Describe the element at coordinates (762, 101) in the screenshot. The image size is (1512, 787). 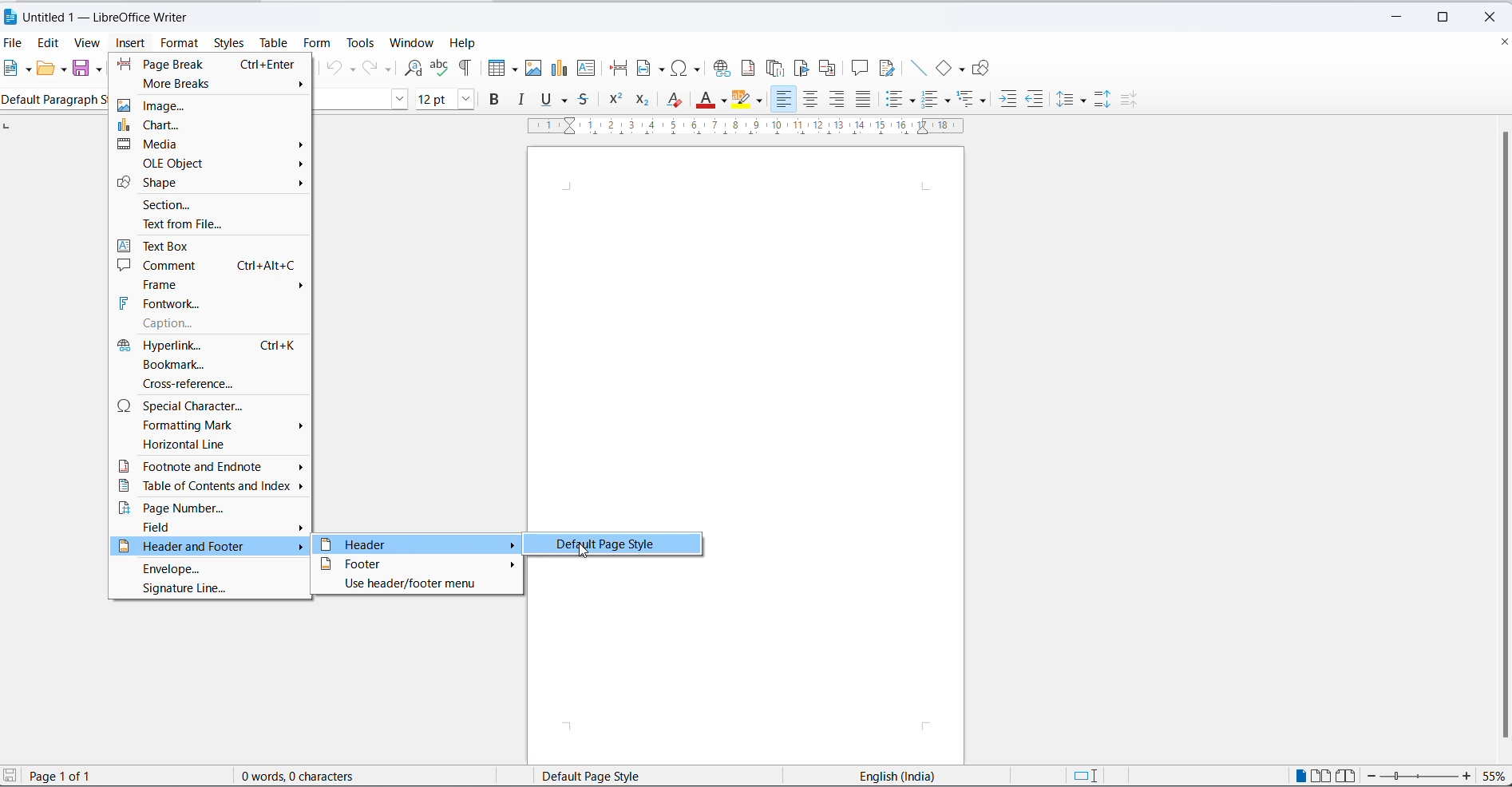
I see `character highlighting options` at that location.